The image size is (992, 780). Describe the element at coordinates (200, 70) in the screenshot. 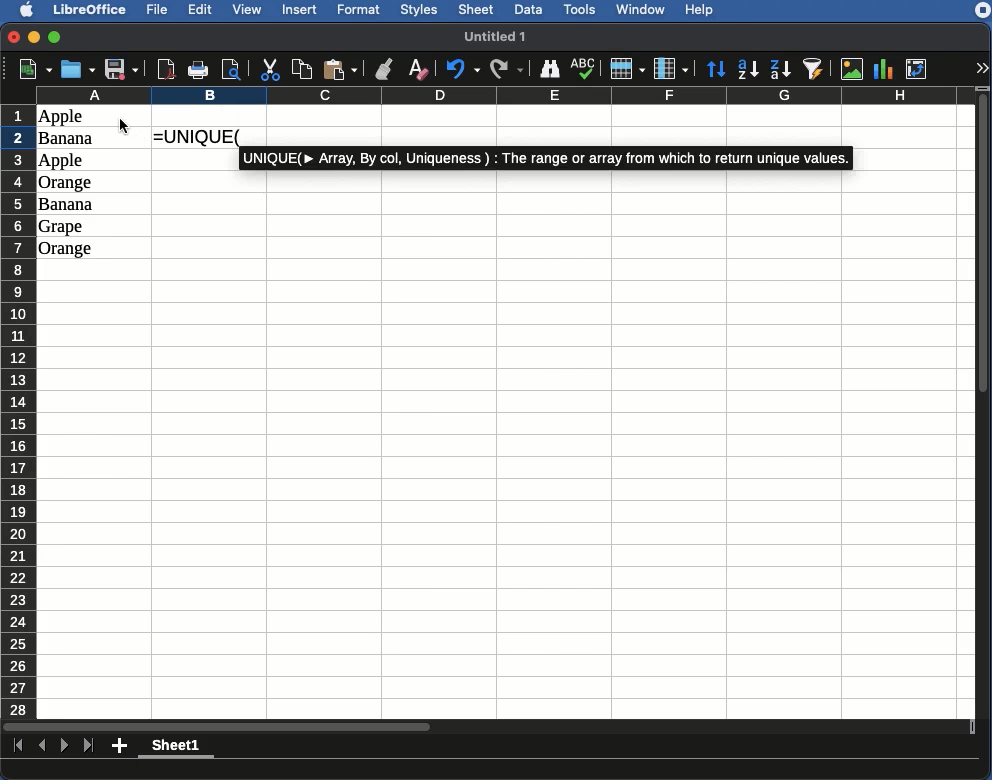

I see `Print` at that location.